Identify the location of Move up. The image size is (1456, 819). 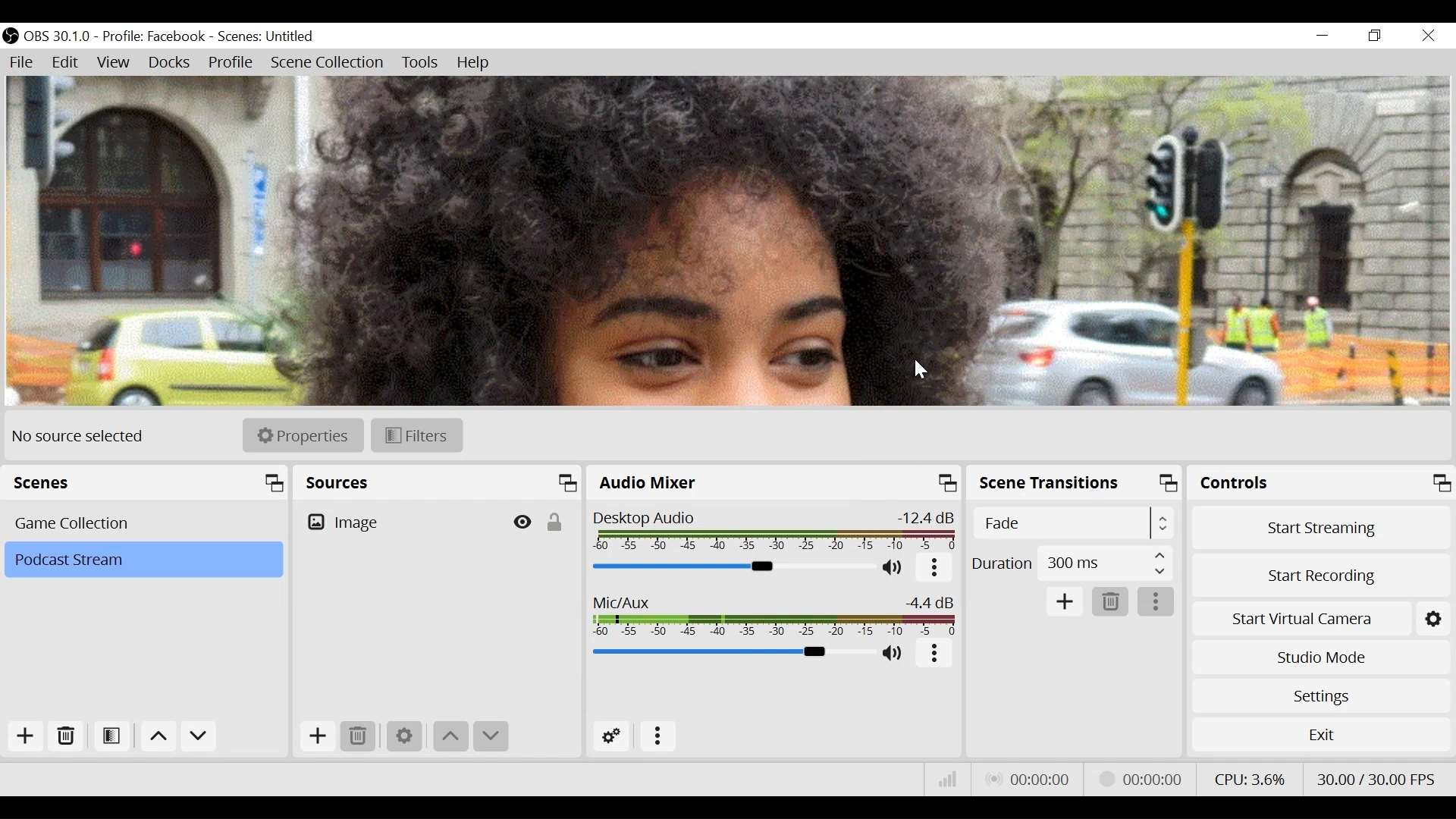
(452, 736).